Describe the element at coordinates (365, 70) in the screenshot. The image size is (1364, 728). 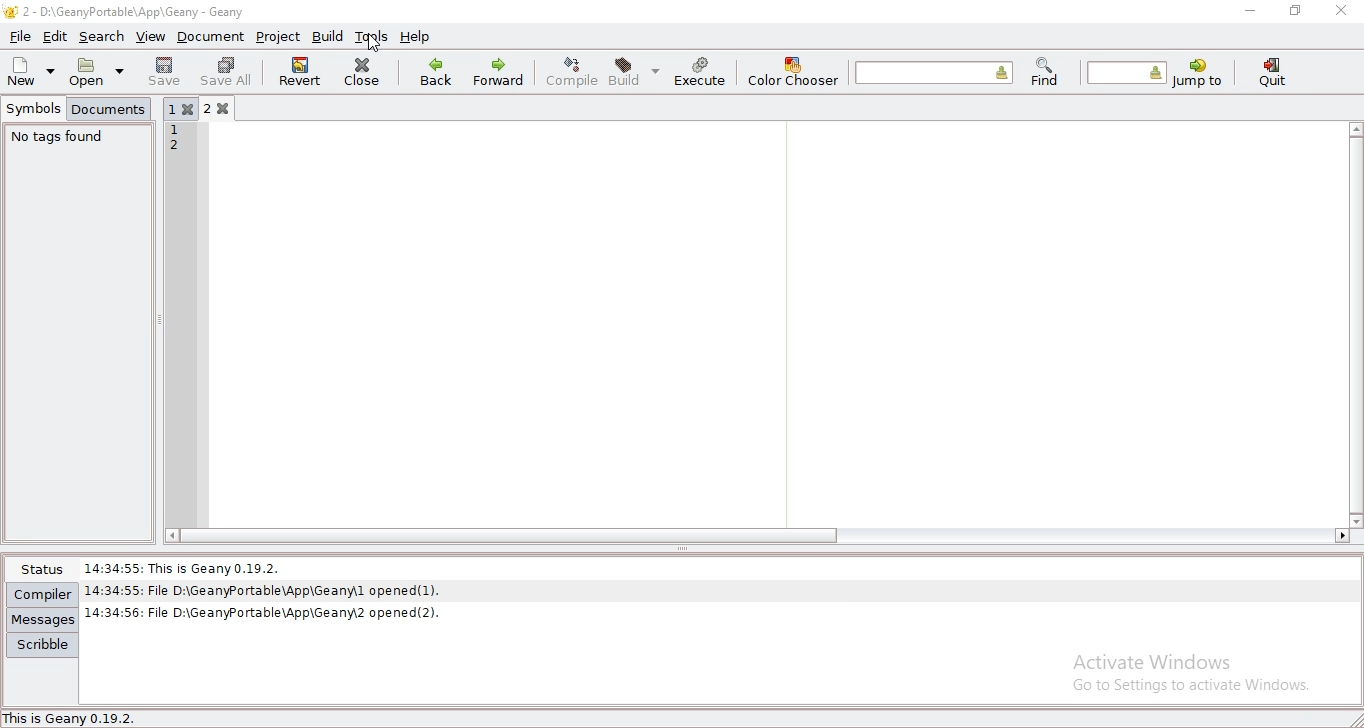
I see `close` at that location.